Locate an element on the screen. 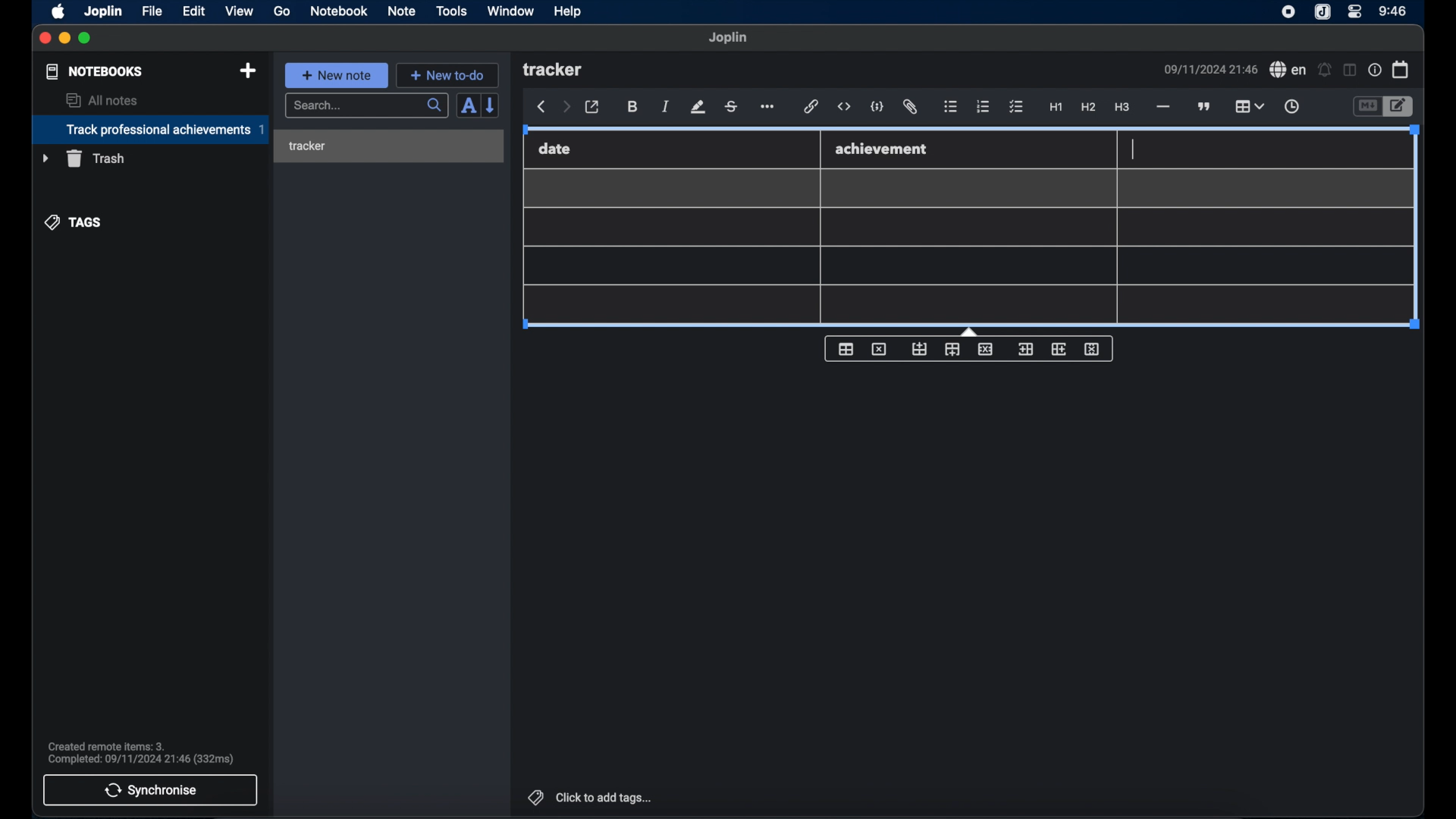 This screenshot has width=1456, height=819. insert time is located at coordinates (1291, 107).